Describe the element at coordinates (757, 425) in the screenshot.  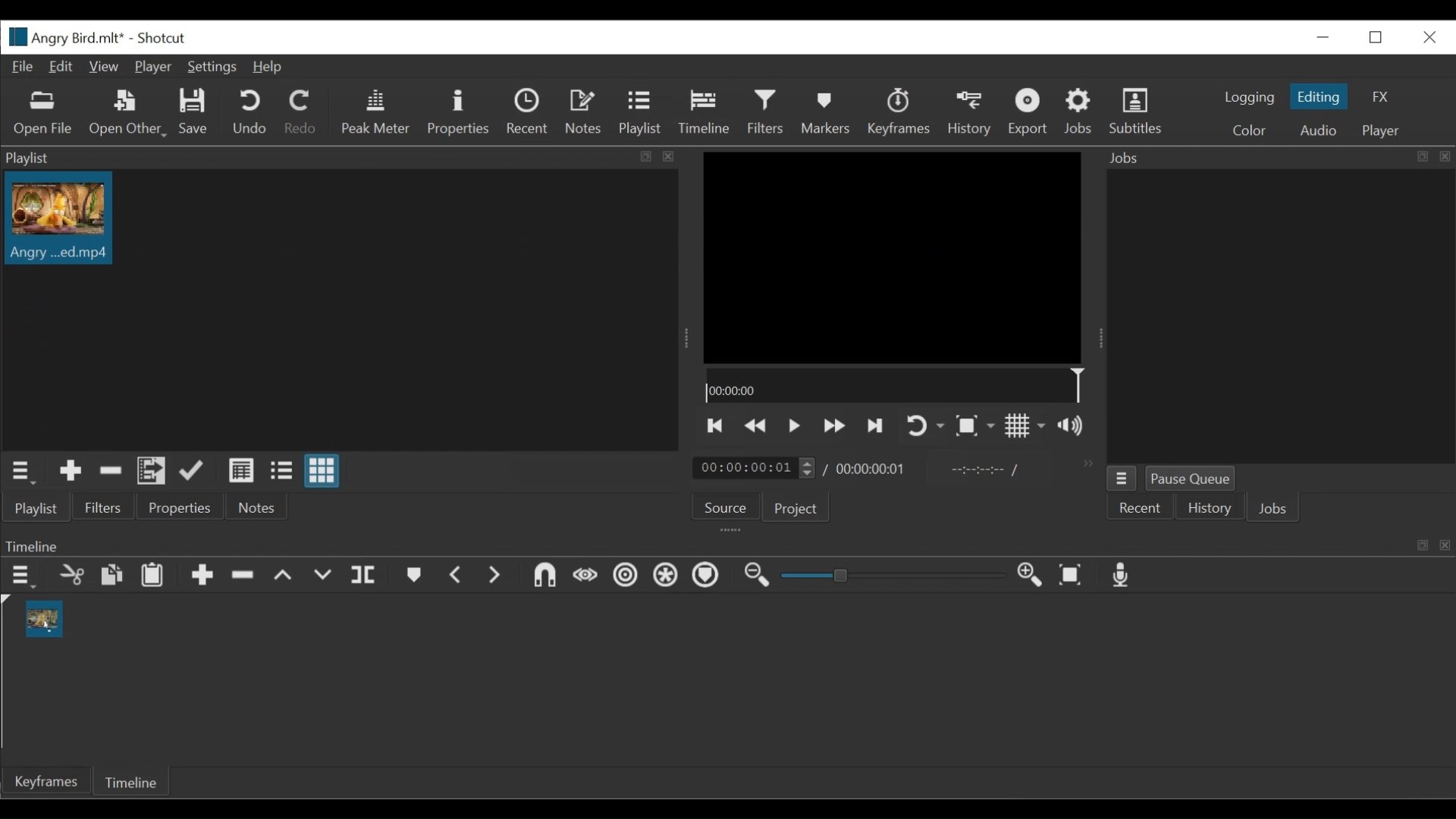
I see `play previous quickly` at that location.